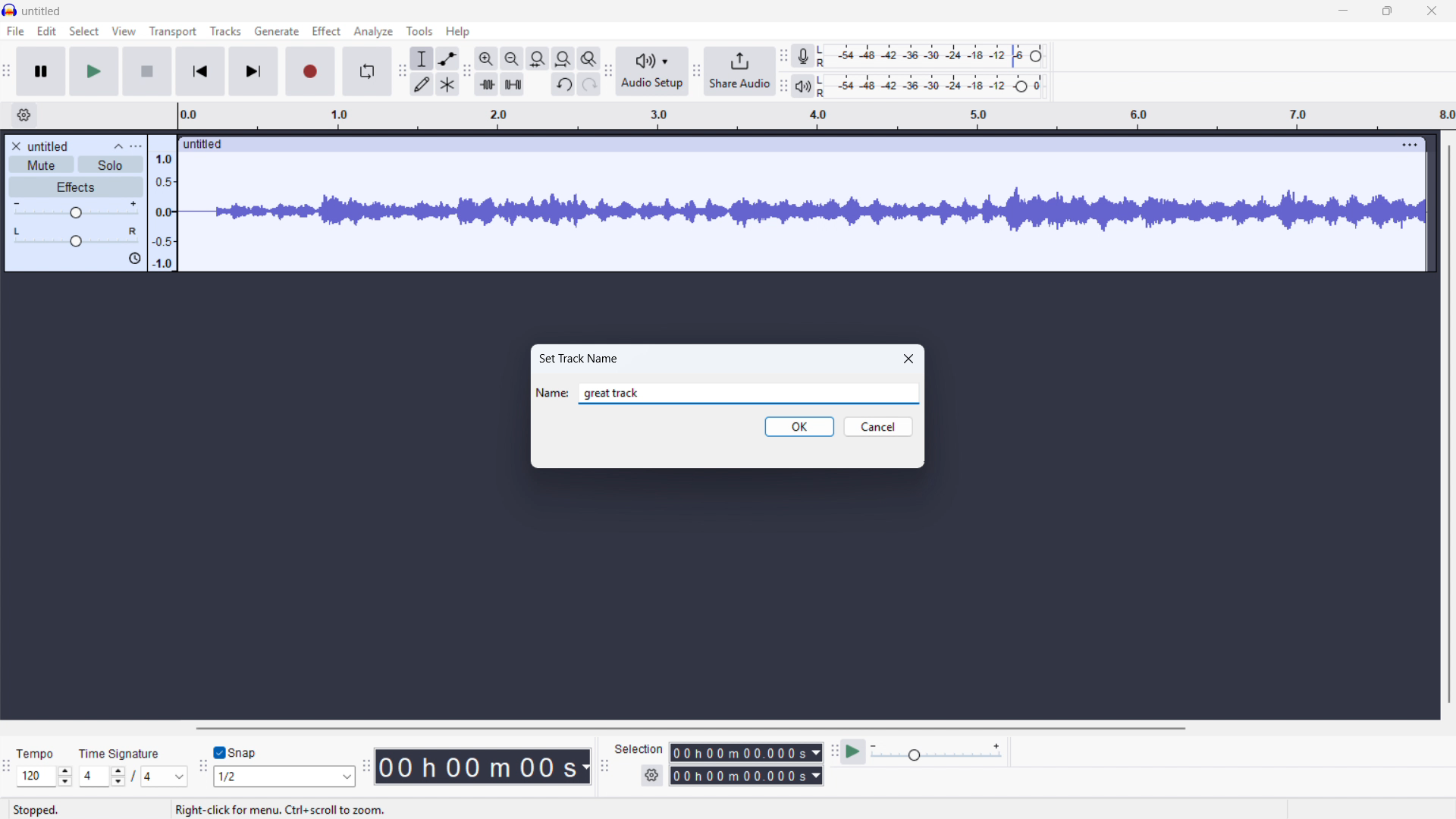 This screenshot has width=1456, height=819. Describe the element at coordinates (784, 87) in the screenshot. I see `Playback metre toolbar ` at that location.